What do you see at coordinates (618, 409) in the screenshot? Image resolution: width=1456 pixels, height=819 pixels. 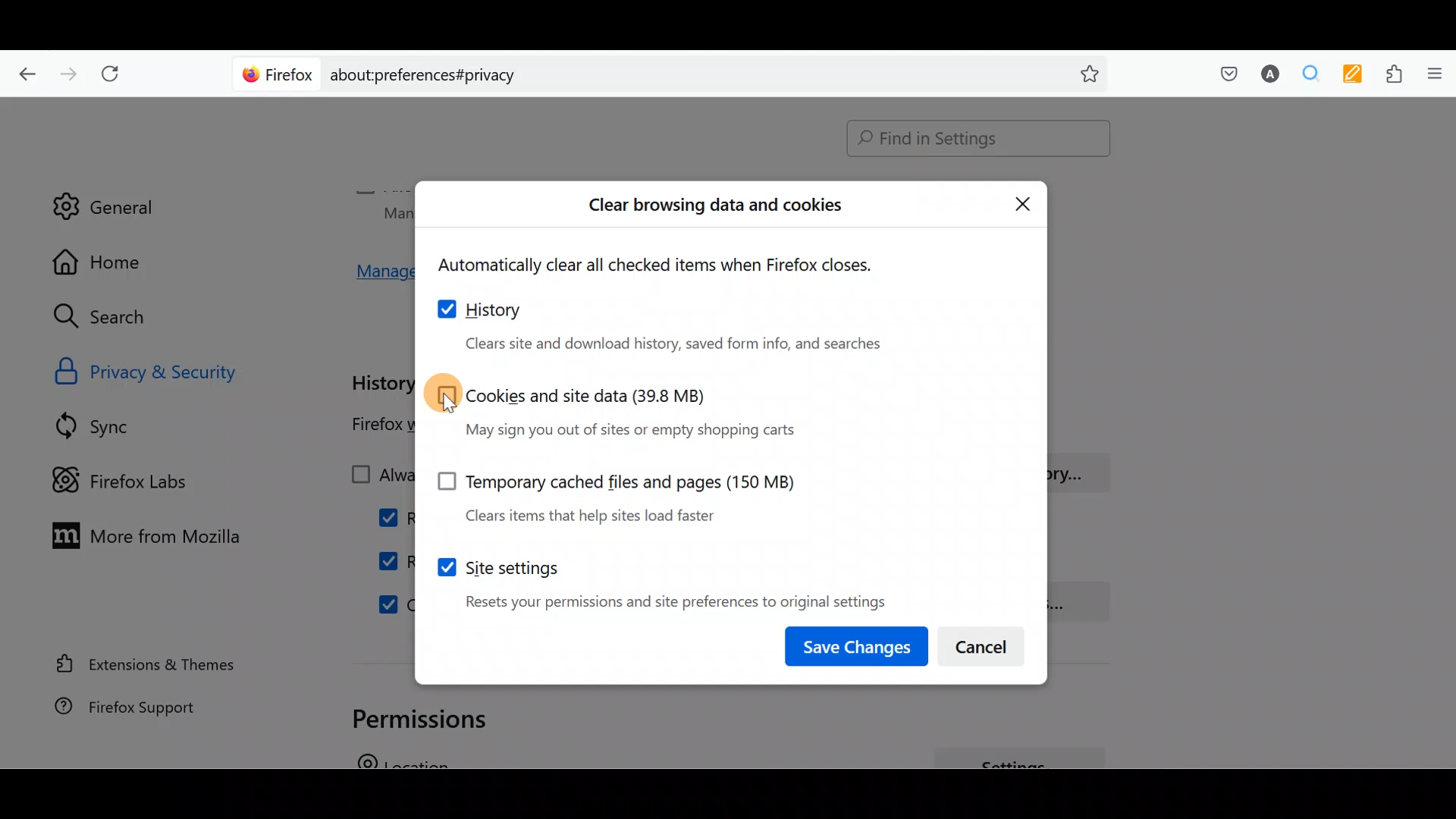 I see `Click to select cookies and site data` at bounding box center [618, 409].